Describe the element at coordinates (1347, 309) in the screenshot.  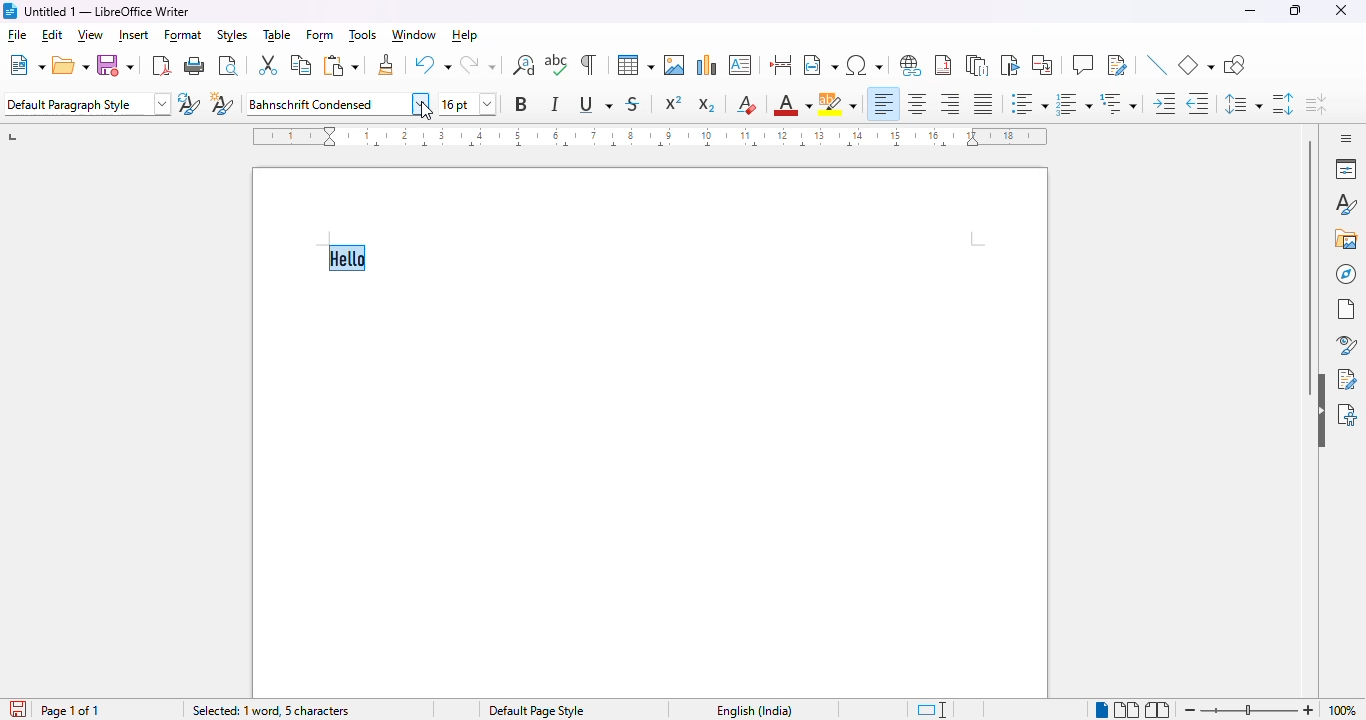
I see `page` at that location.